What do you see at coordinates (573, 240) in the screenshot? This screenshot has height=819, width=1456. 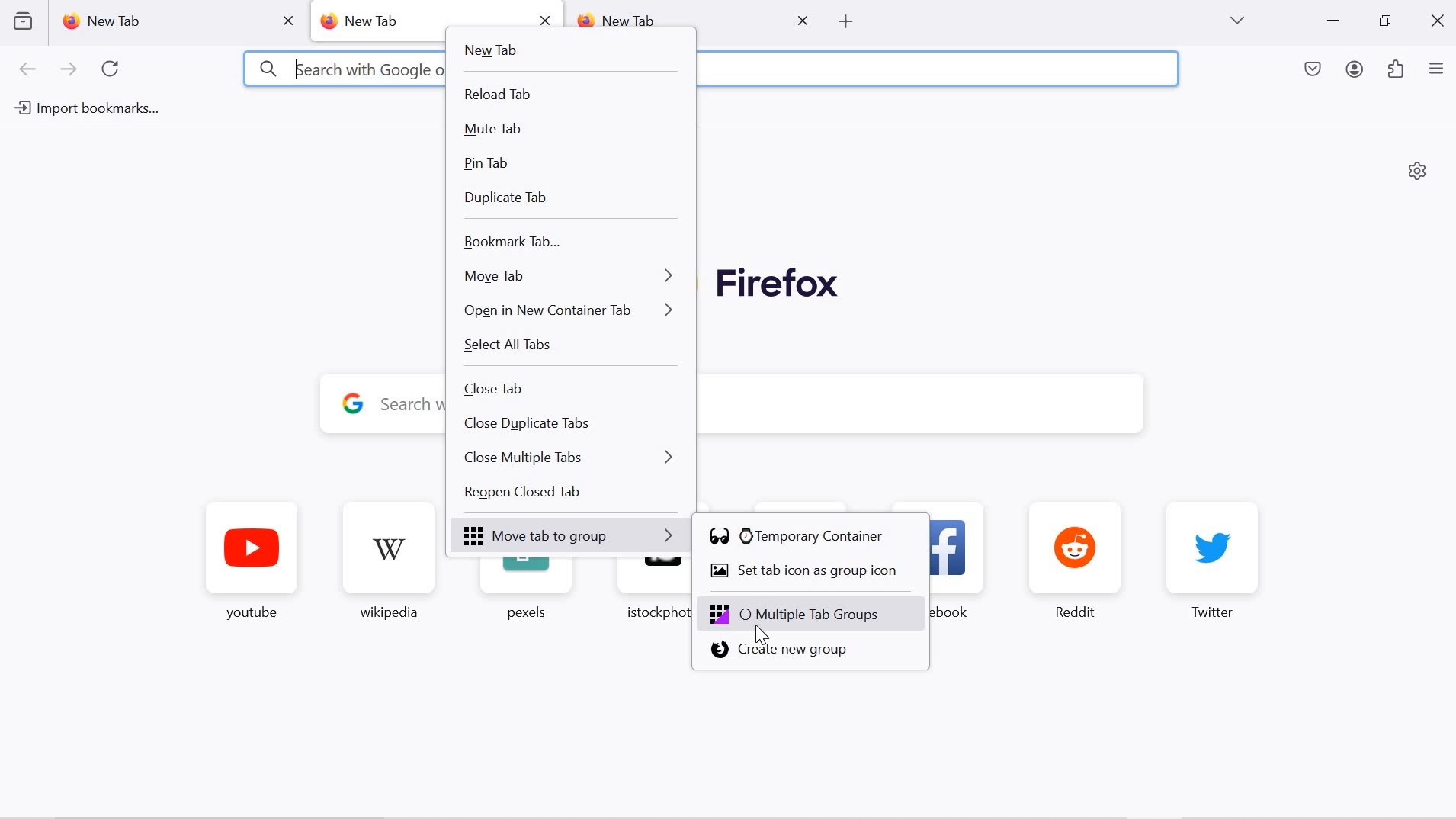 I see `bookmark tab` at bounding box center [573, 240].